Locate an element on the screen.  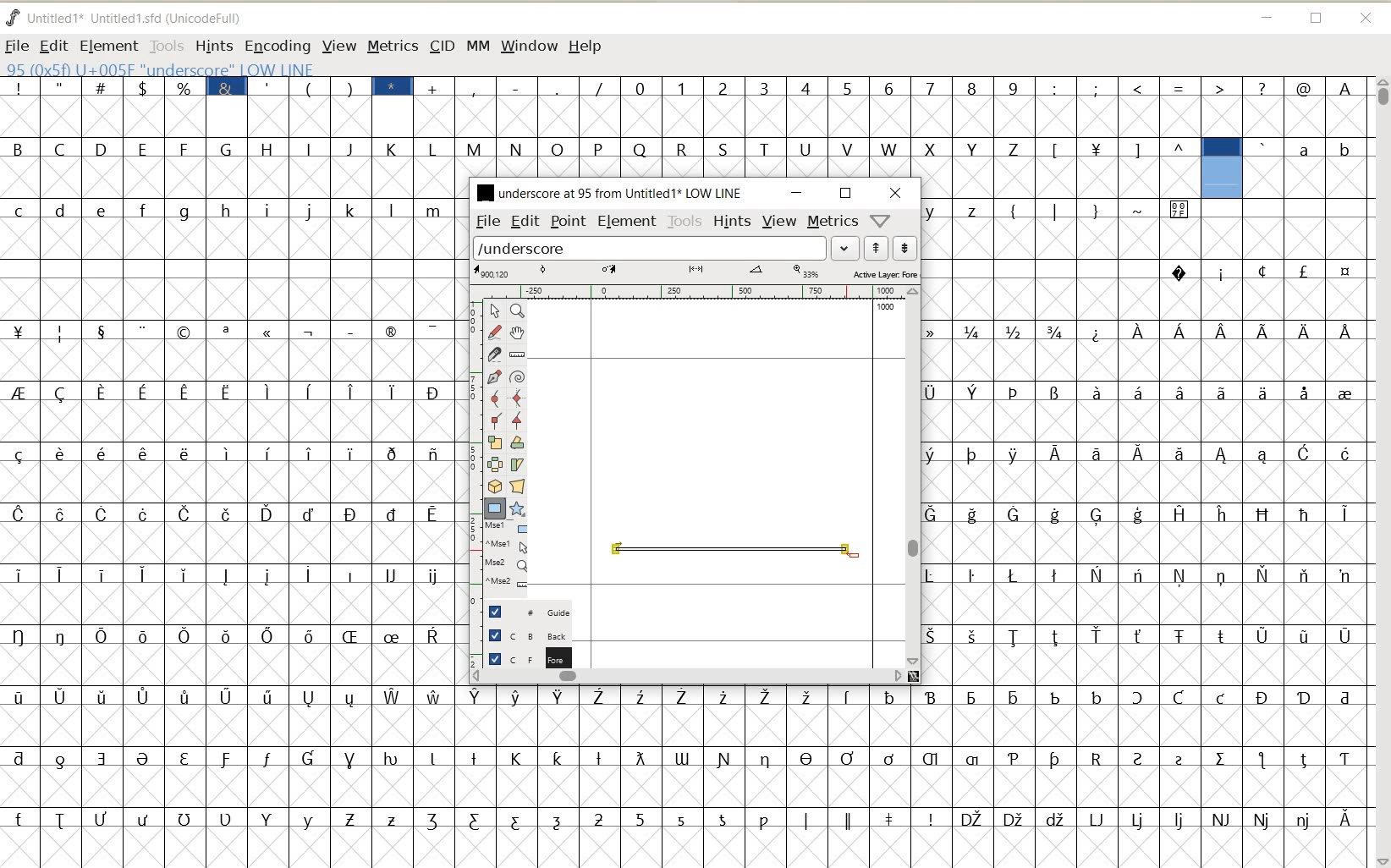
draw a freehand curve is located at coordinates (496, 332).